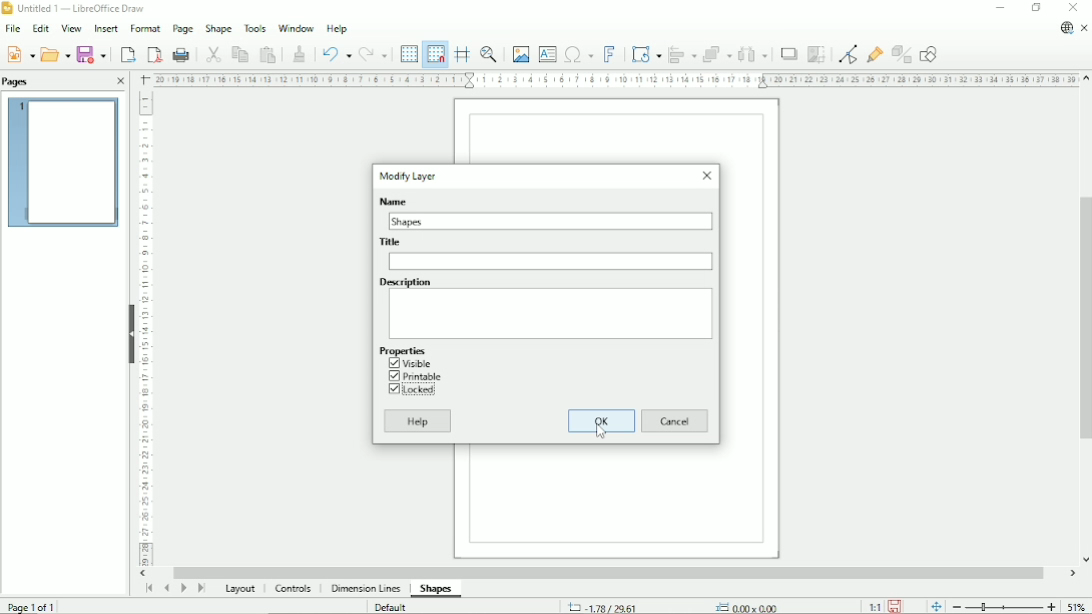 The image size is (1092, 614). Describe the element at coordinates (62, 164) in the screenshot. I see `Preview` at that location.